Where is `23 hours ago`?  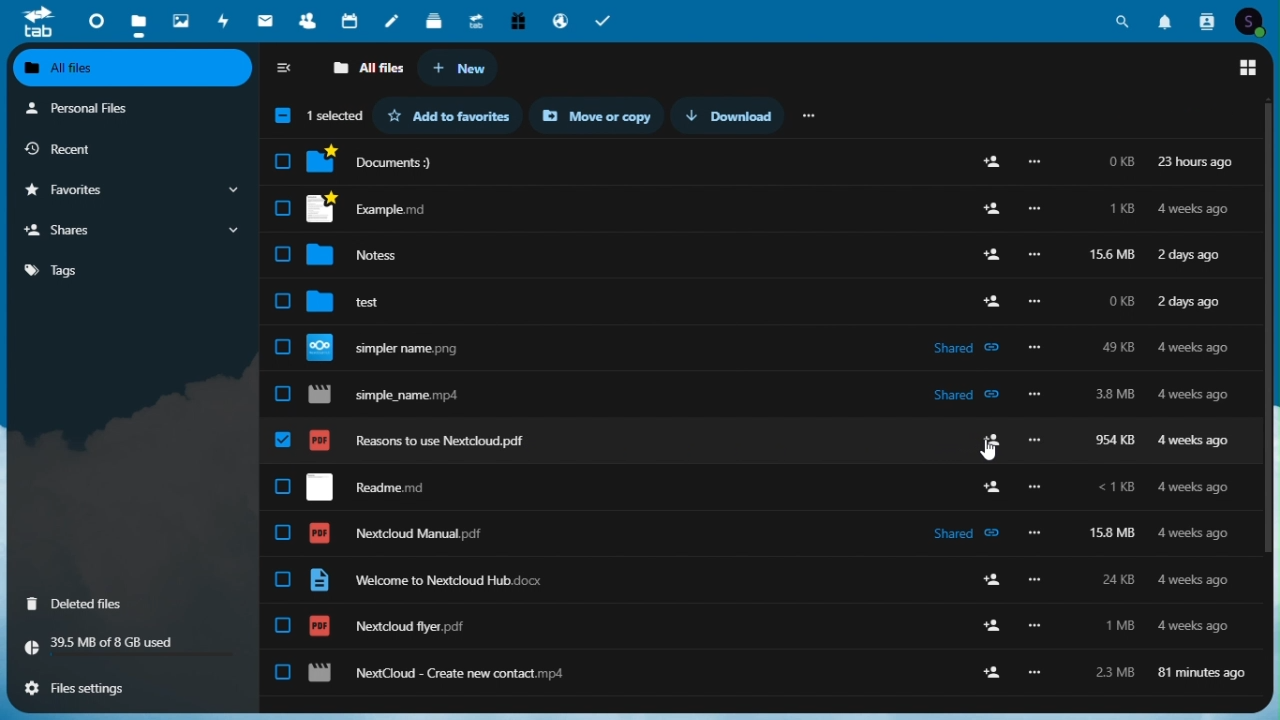 23 hours ago is located at coordinates (1196, 162).